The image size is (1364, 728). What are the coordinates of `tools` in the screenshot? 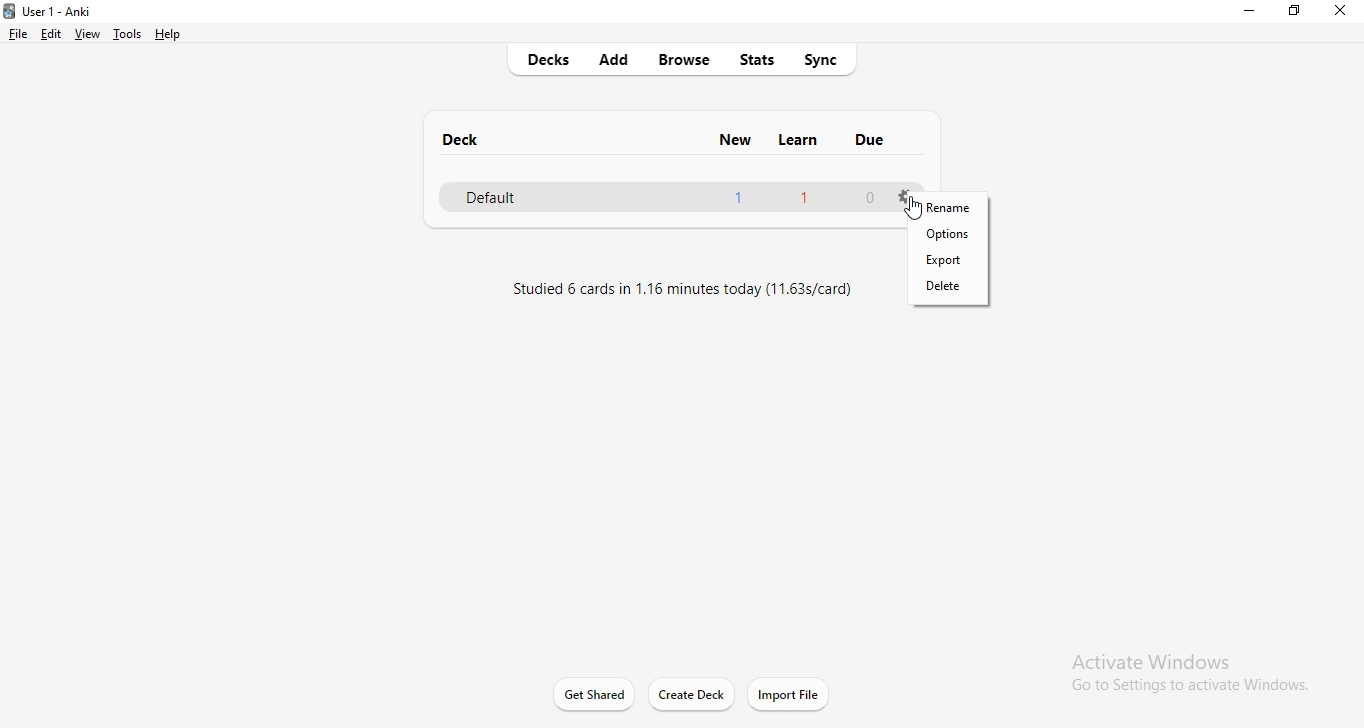 It's located at (125, 33).